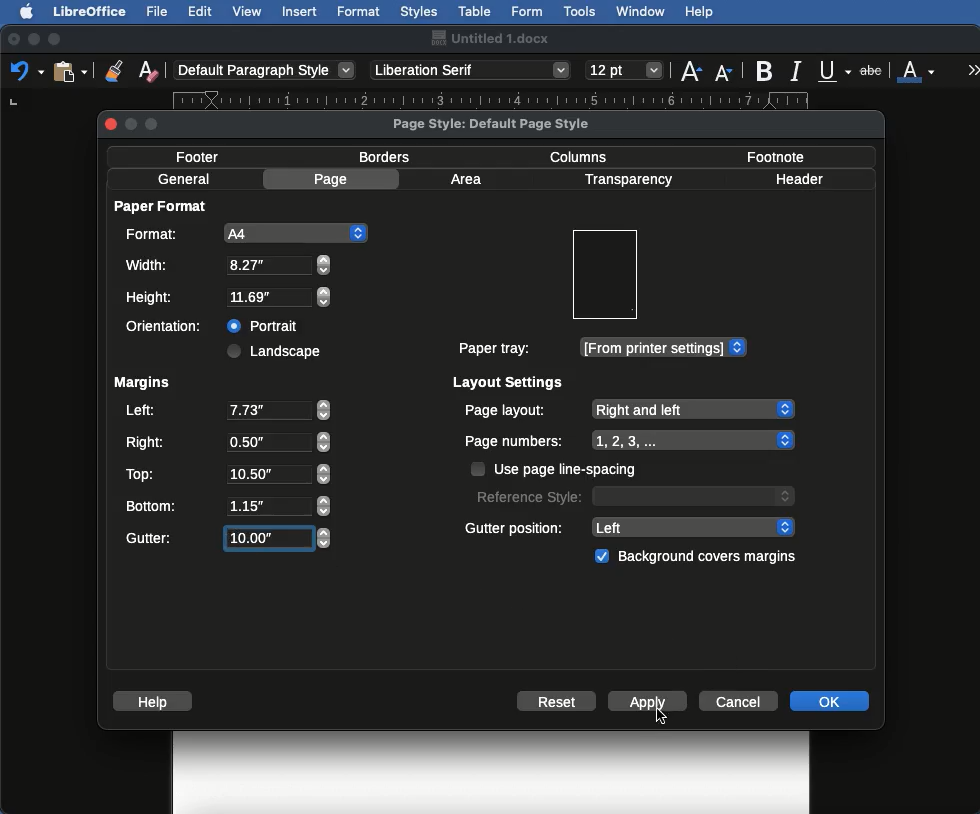 The height and width of the screenshot is (814, 980). I want to click on Reference style, so click(633, 495).